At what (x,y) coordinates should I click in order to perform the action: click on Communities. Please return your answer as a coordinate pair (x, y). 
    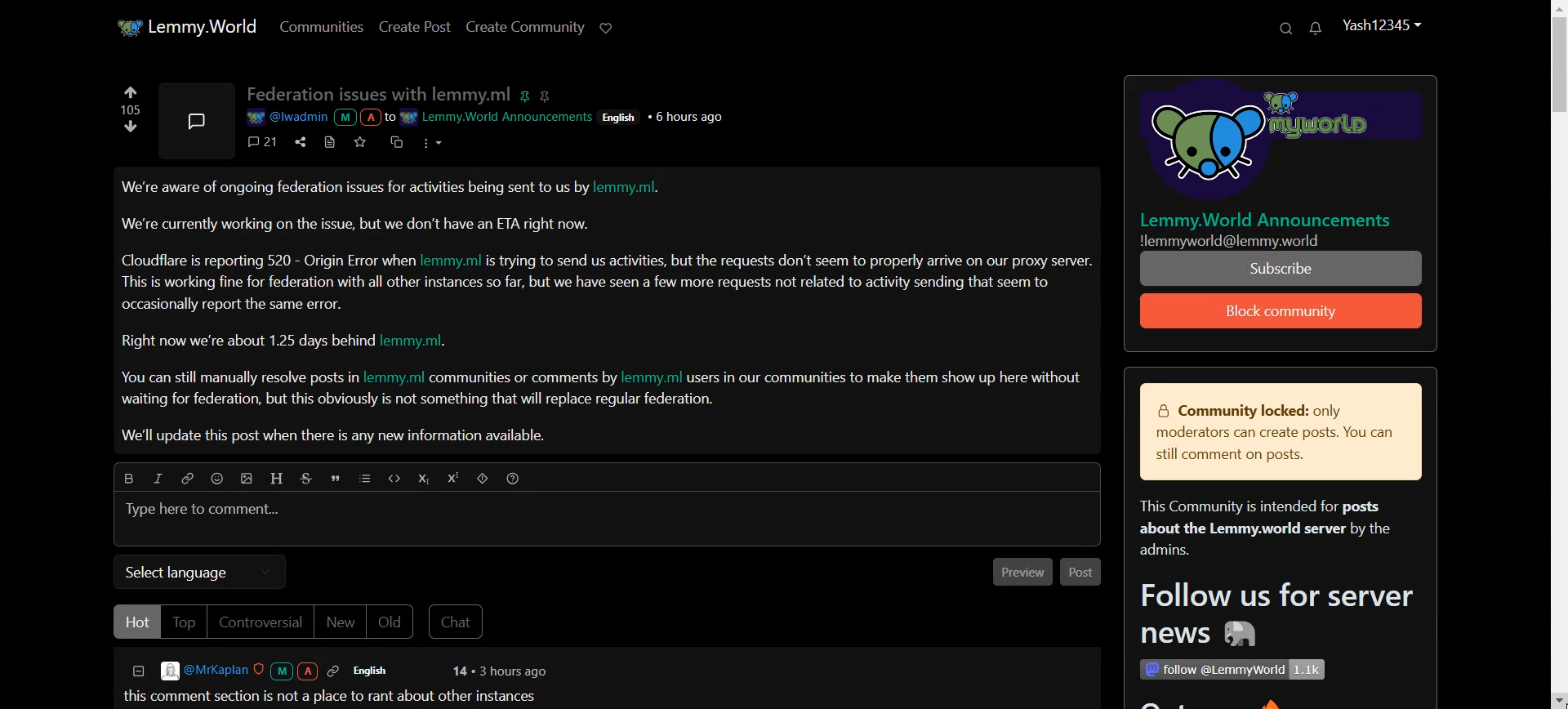
    Looking at the image, I should click on (321, 26).